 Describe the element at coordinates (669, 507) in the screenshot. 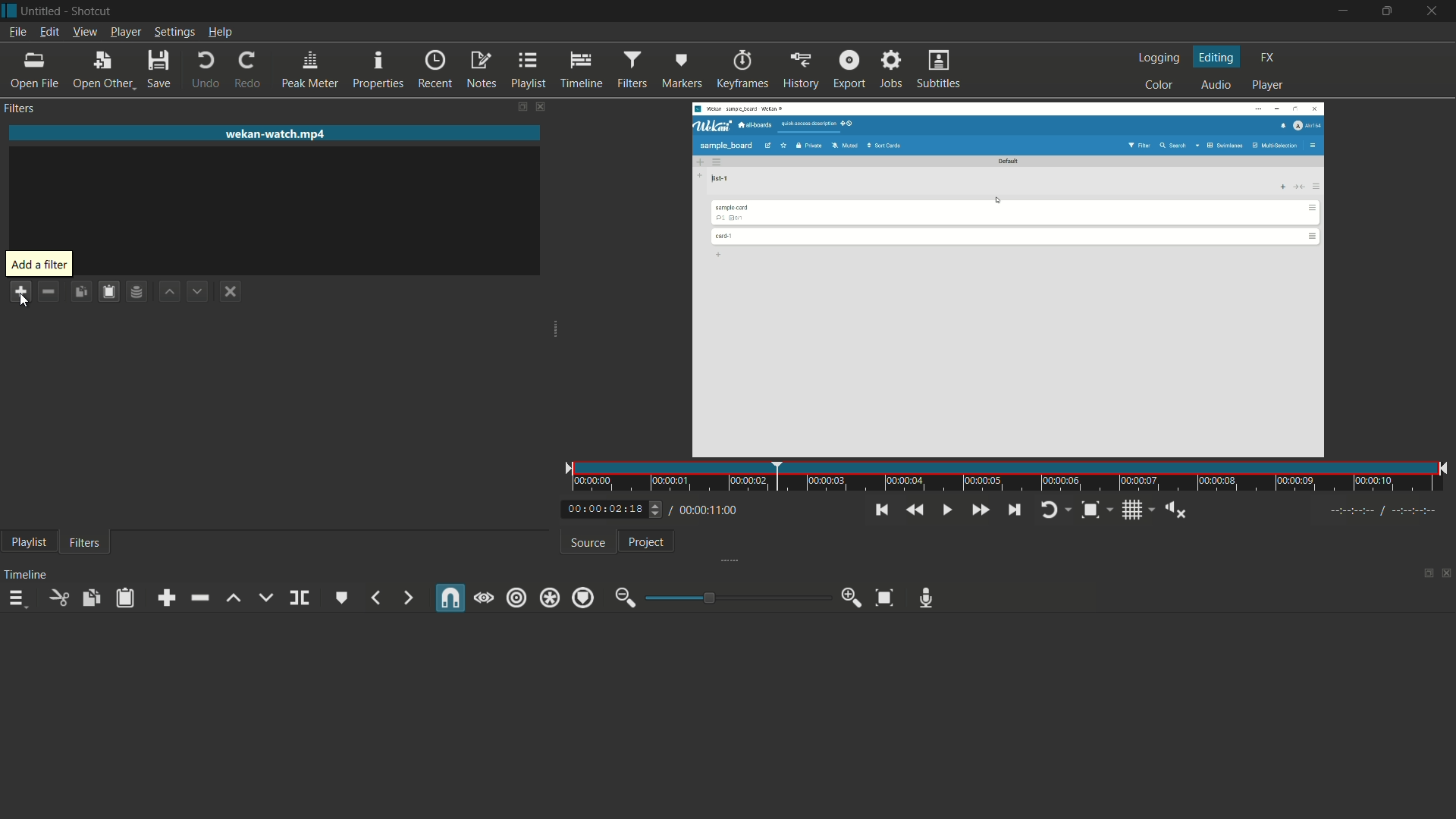

I see `/` at that location.